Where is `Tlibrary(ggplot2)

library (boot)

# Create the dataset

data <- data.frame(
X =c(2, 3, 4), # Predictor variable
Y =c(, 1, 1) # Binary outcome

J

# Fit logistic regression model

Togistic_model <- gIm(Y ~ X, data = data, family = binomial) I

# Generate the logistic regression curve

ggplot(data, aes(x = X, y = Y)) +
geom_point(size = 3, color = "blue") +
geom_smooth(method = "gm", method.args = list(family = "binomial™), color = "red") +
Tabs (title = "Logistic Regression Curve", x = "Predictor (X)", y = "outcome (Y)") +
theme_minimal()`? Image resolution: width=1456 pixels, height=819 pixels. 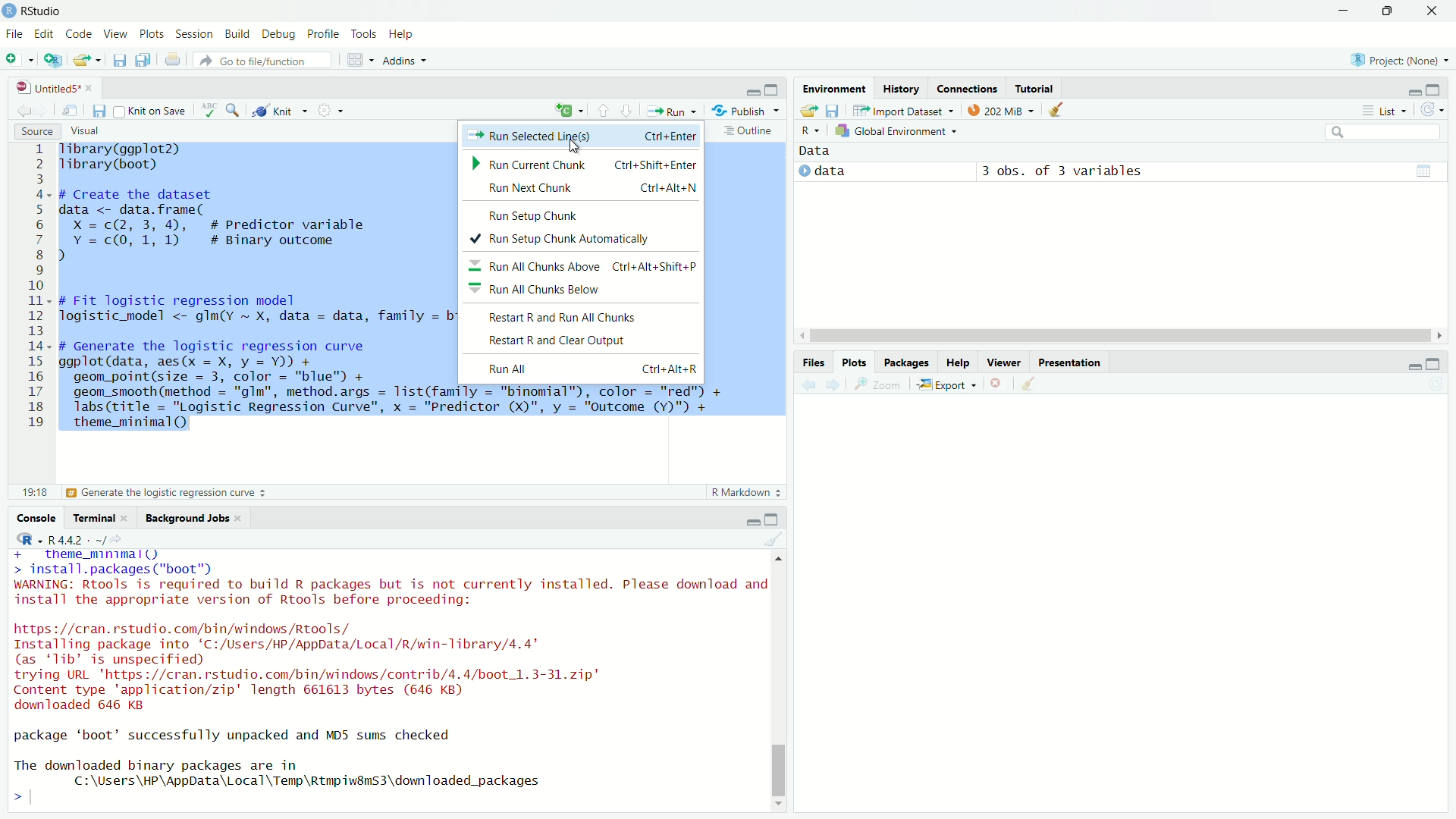
Tlibrary(ggplot2)

library (boot)

# Create the dataset

data <- data.frame(
X =c(2, 3, 4), # Predictor variable
Y =c(, 1, 1) # Binary outcome

J

# Fit logistic regression model

Togistic_model <- gIm(Y ~ X, data = data, family = binomial) I

# Generate the logistic regression curve

ggplot(data, aes(x = X, y = Y)) +
geom_point(size = 3, color = "blue") +
geom_smooth(method = "gm", method.args = list(family = "binomial™), color = "red") +
Tabs (title = "Logistic Regression Curve", x = "Predictor (X)", y = "outcome (Y)") +
theme_minimal() is located at coordinates (257, 293).